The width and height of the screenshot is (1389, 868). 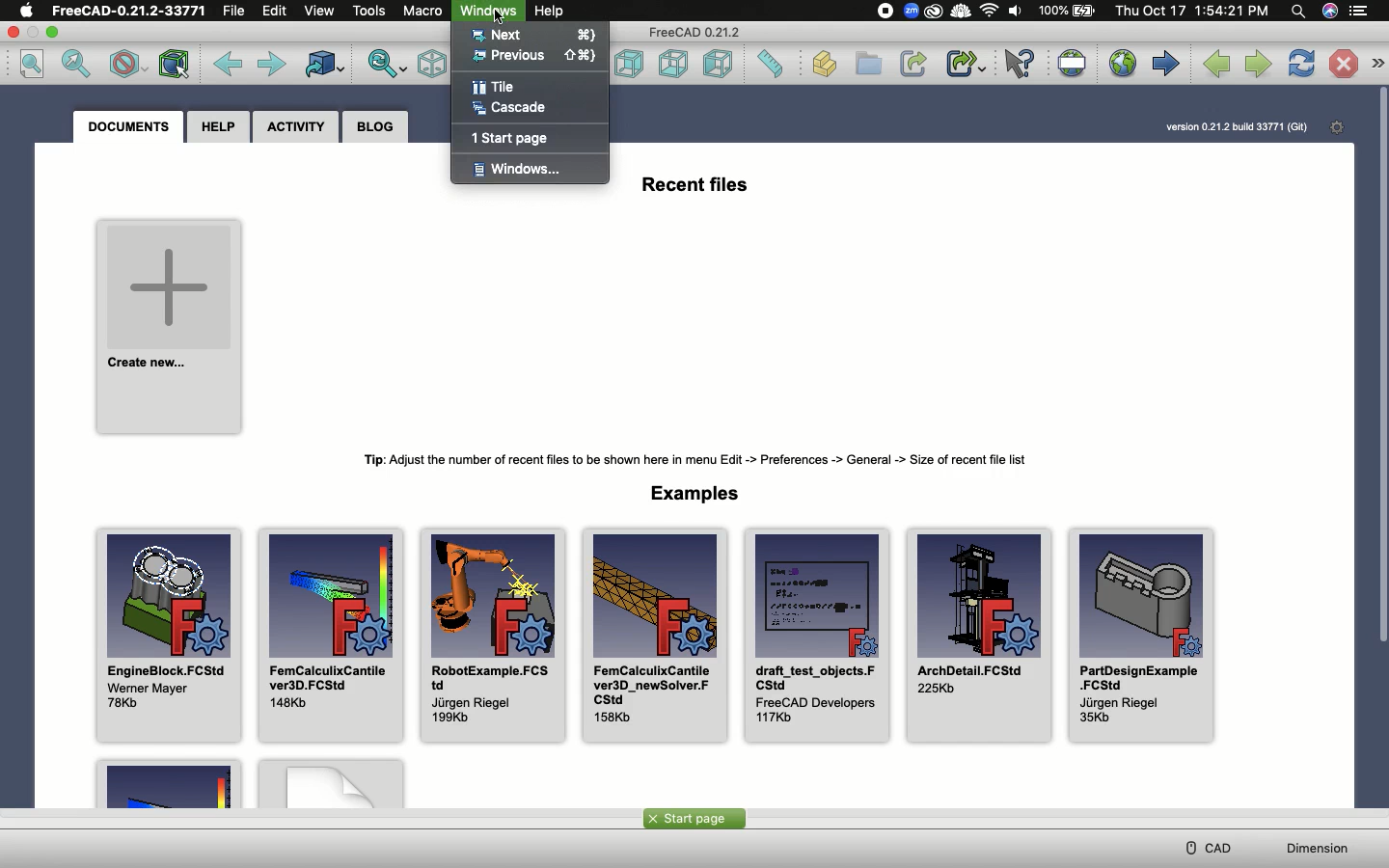 I want to click on Fit selection, so click(x=79, y=63).